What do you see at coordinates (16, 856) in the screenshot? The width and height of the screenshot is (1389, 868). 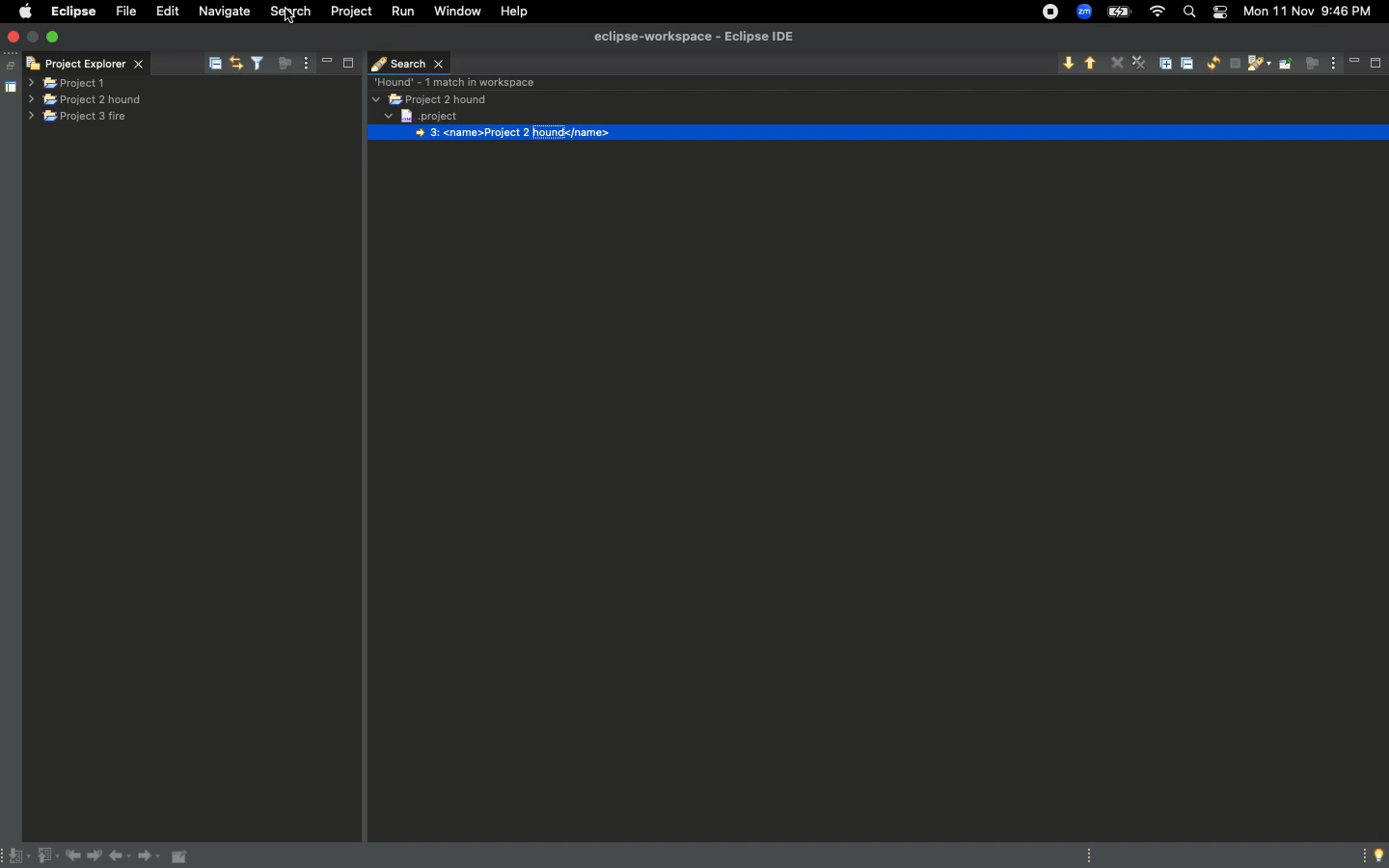 I see `Next annotation` at bounding box center [16, 856].